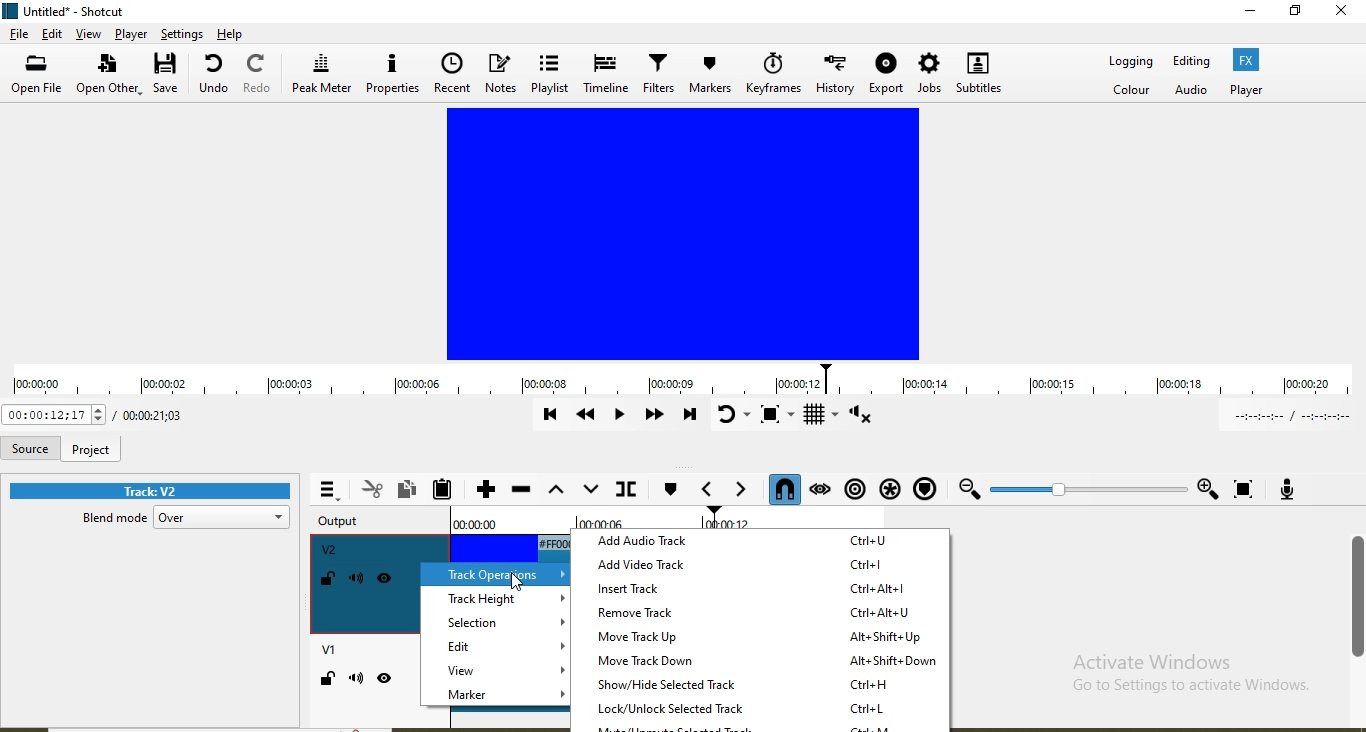 This screenshot has width=1366, height=732. What do you see at coordinates (549, 414) in the screenshot?
I see `Skip to previous` at bounding box center [549, 414].